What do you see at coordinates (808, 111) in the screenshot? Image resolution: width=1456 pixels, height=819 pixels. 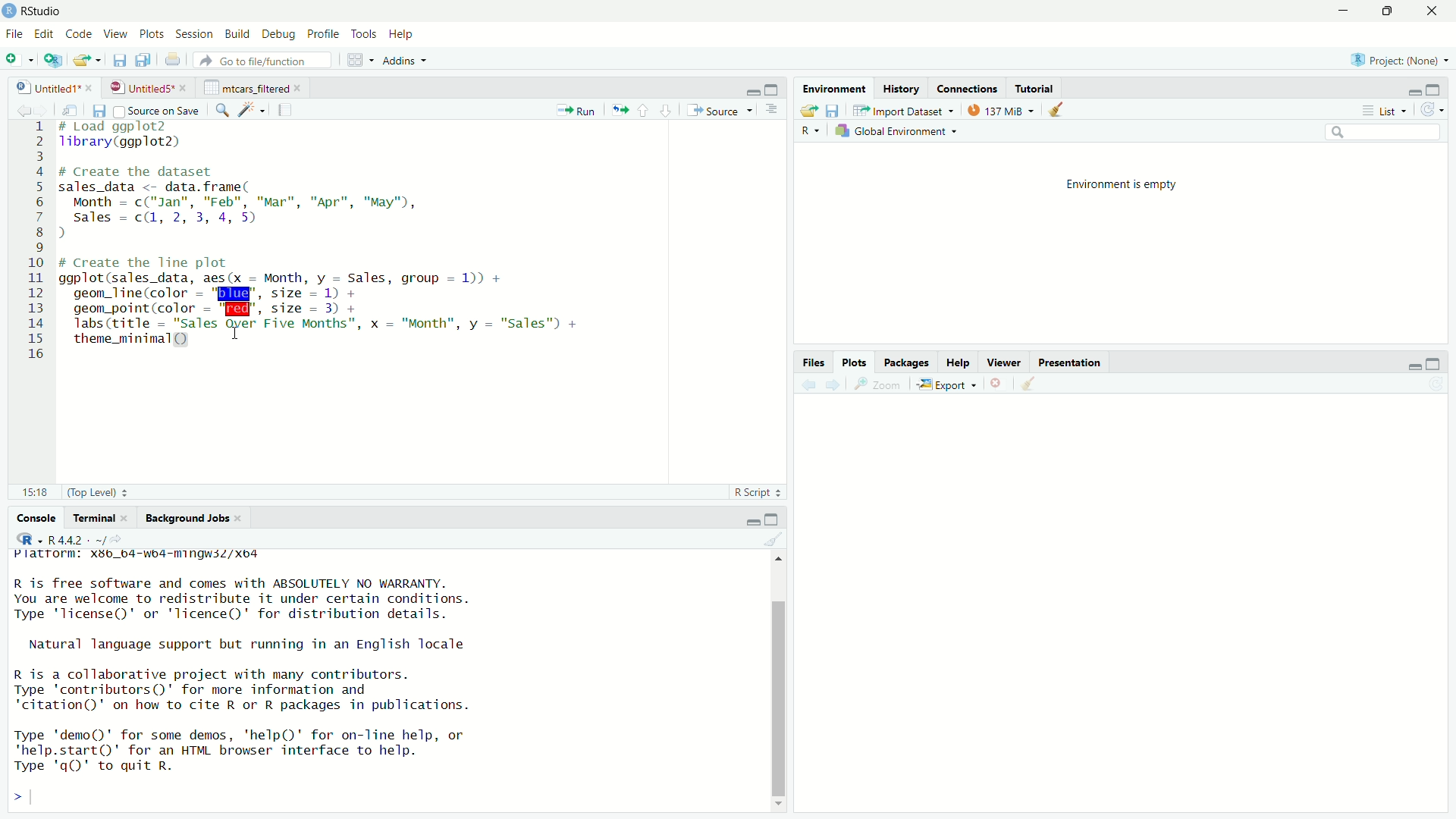 I see `open file` at bounding box center [808, 111].